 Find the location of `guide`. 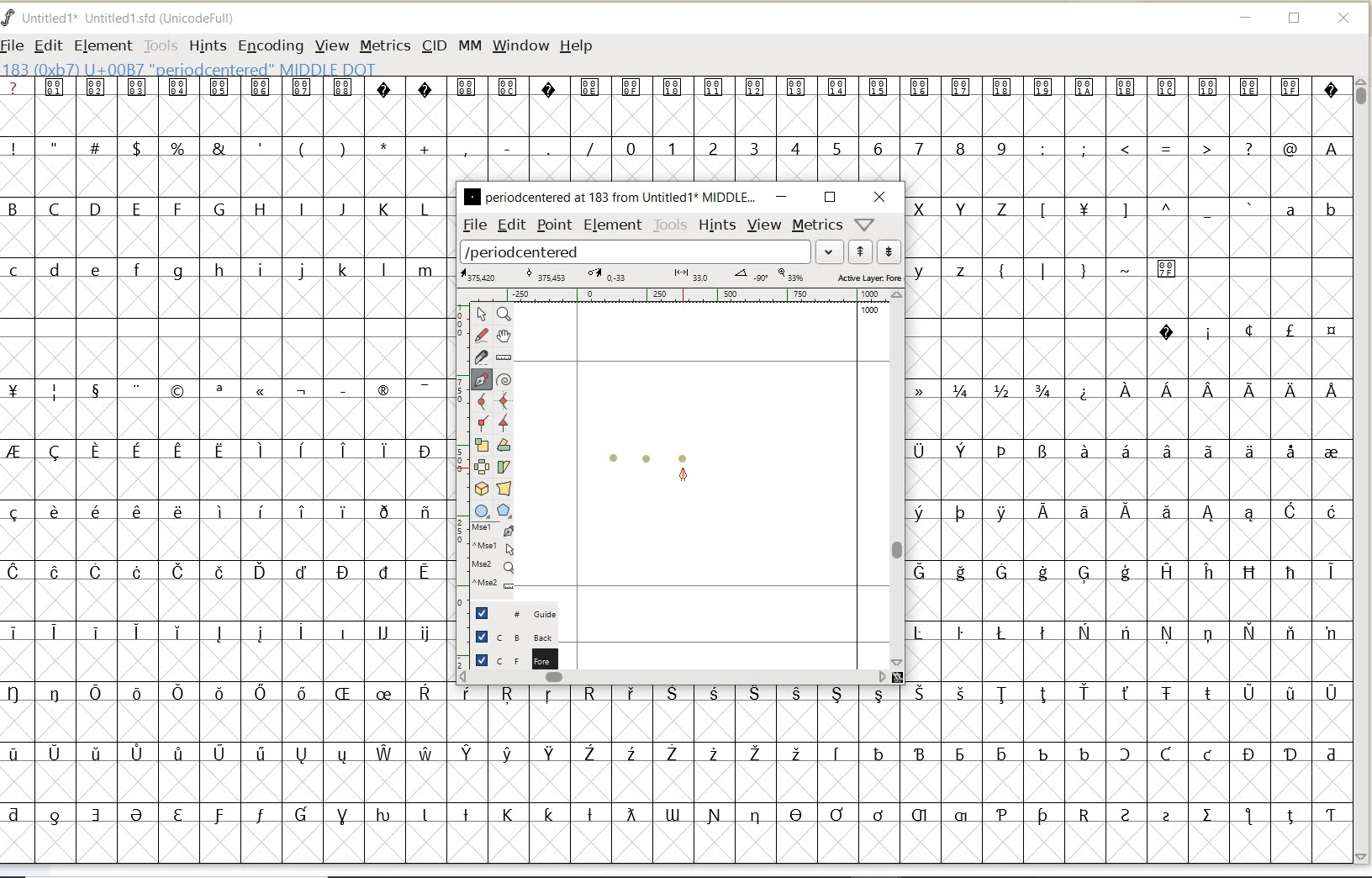

guide is located at coordinates (510, 614).